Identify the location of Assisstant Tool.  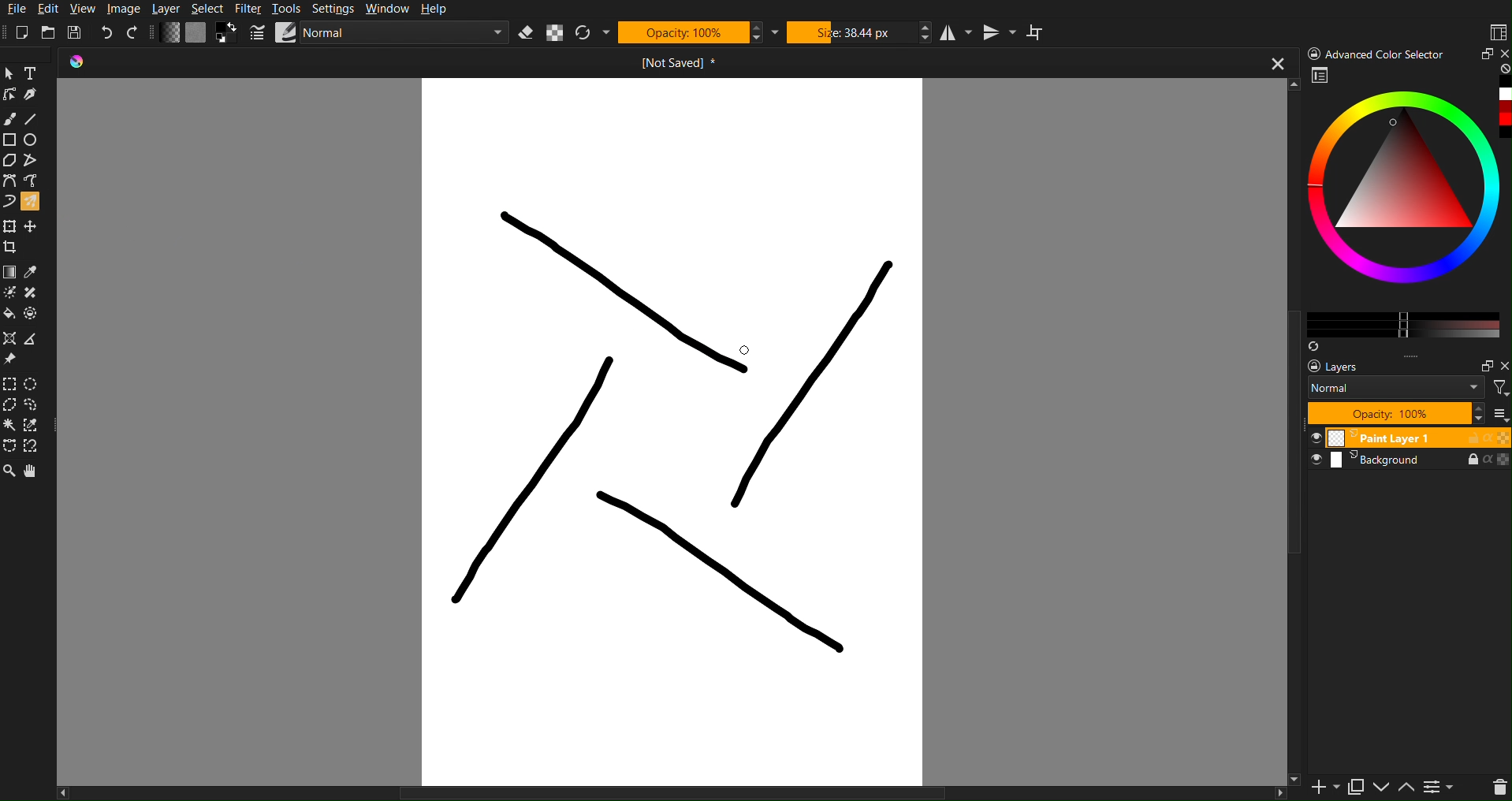
(12, 339).